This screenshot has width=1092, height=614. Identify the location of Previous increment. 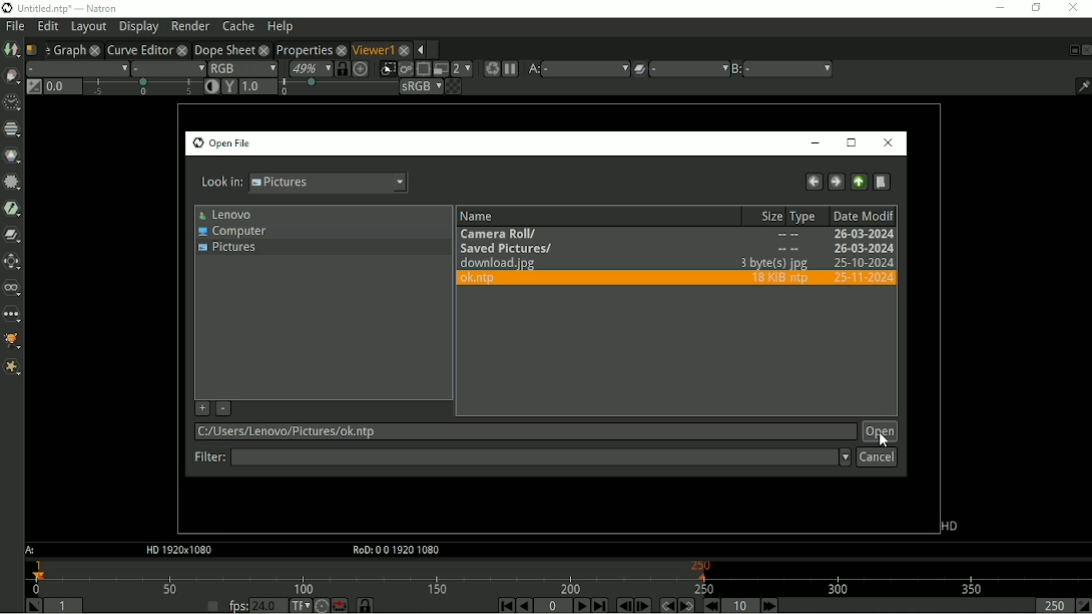
(710, 605).